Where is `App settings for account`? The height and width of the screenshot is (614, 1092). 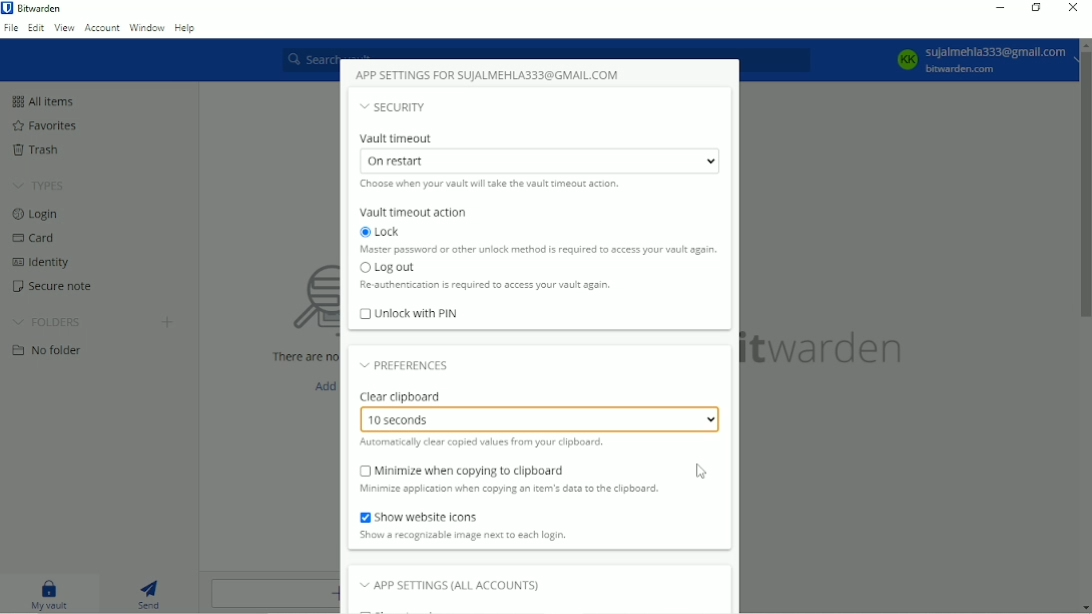 App settings for account is located at coordinates (492, 74).